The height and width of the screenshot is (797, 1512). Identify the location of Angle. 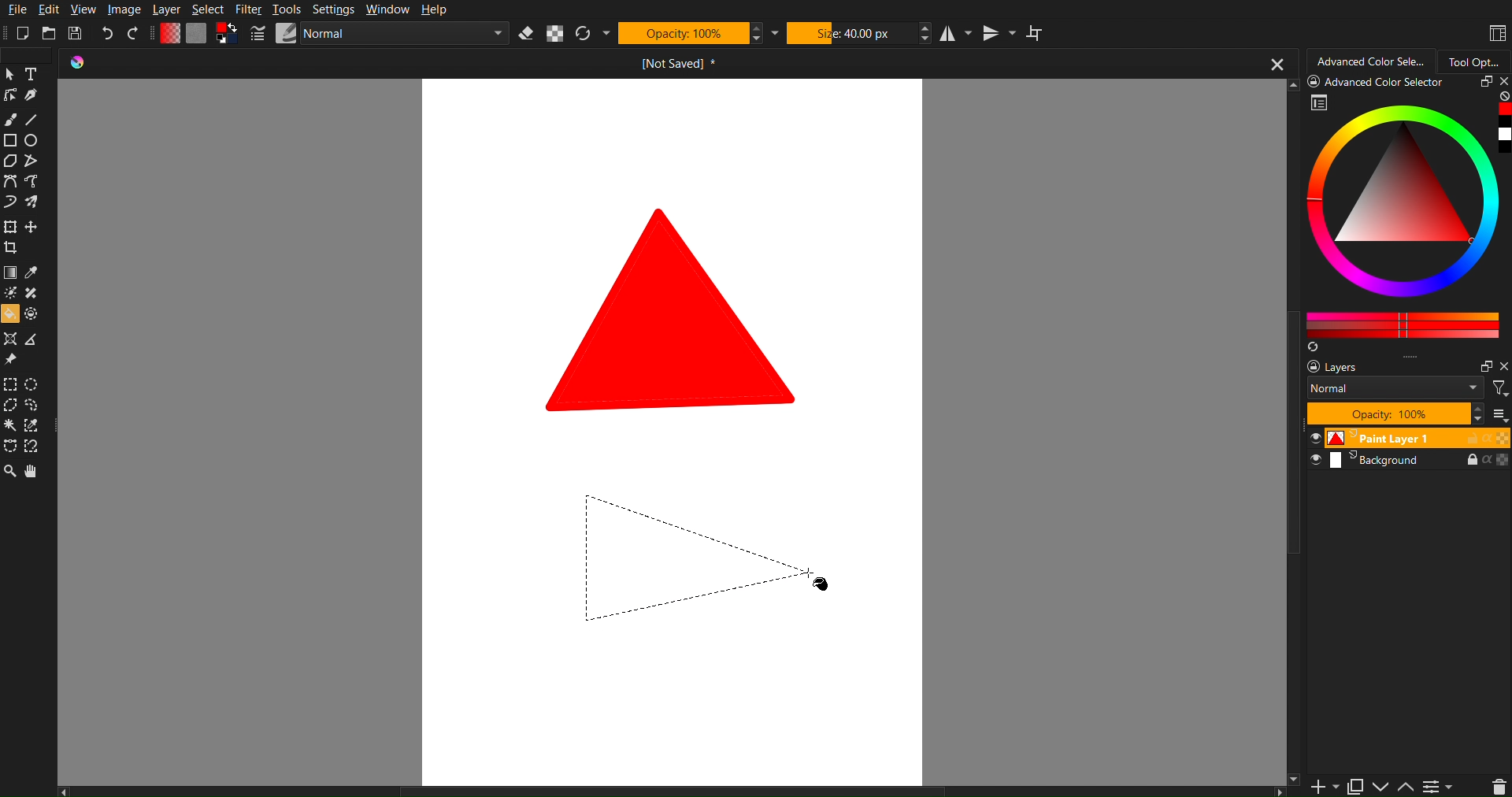
(31, 342).